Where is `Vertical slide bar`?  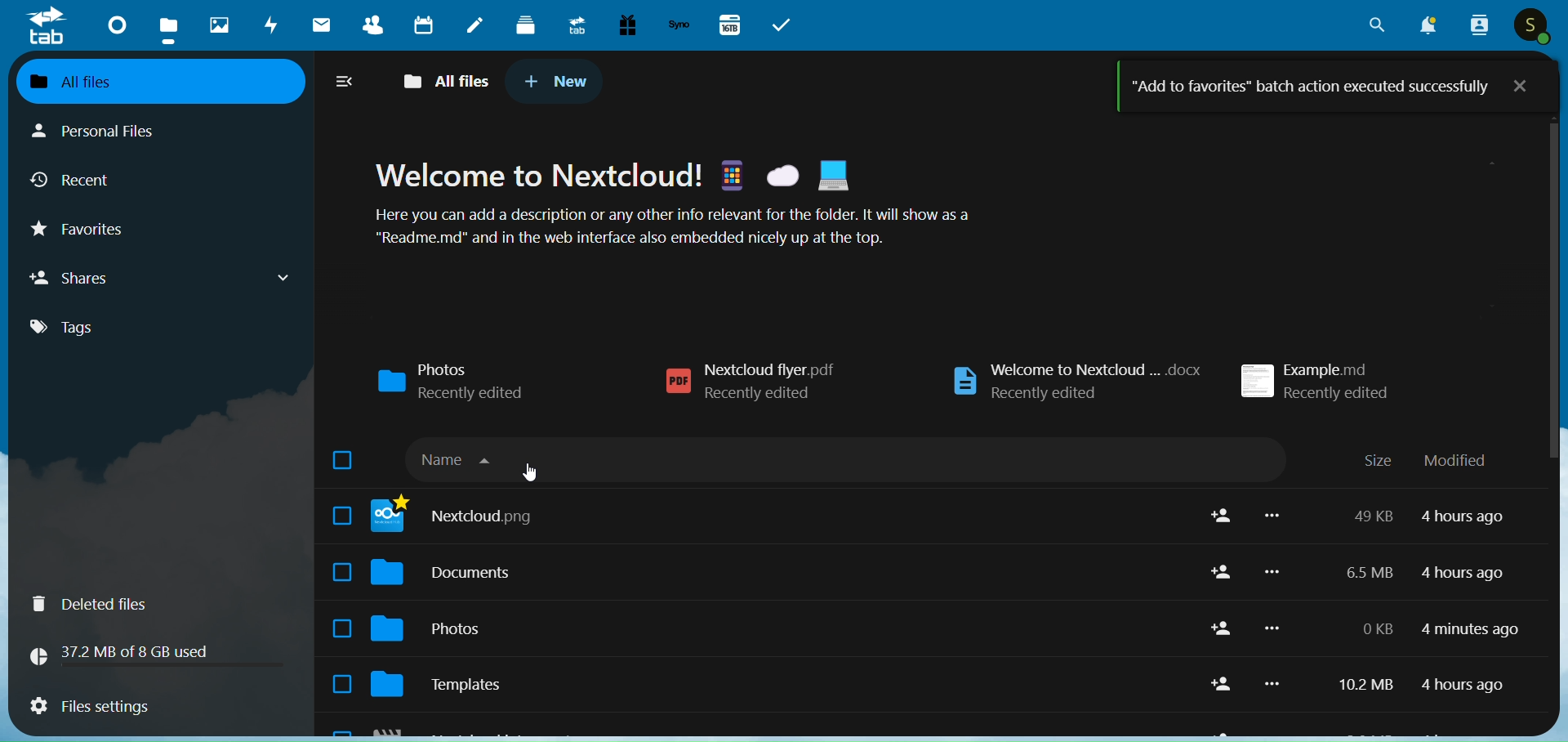
Vertical slide bar is located at coordinates (1554, 362).